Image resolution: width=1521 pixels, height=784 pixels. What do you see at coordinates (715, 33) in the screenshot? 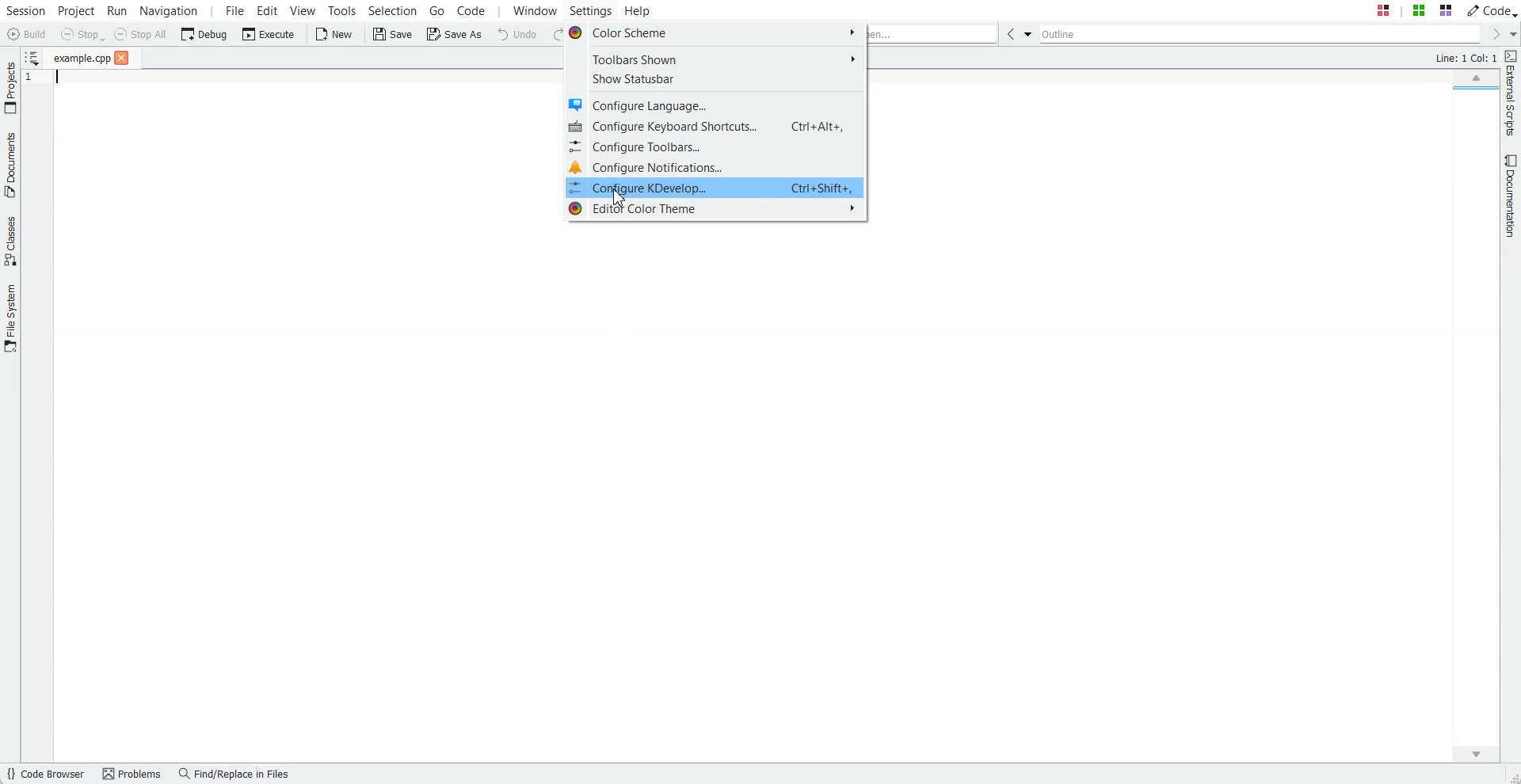
I see `Color Scheme` at bounding box center [715, 33].